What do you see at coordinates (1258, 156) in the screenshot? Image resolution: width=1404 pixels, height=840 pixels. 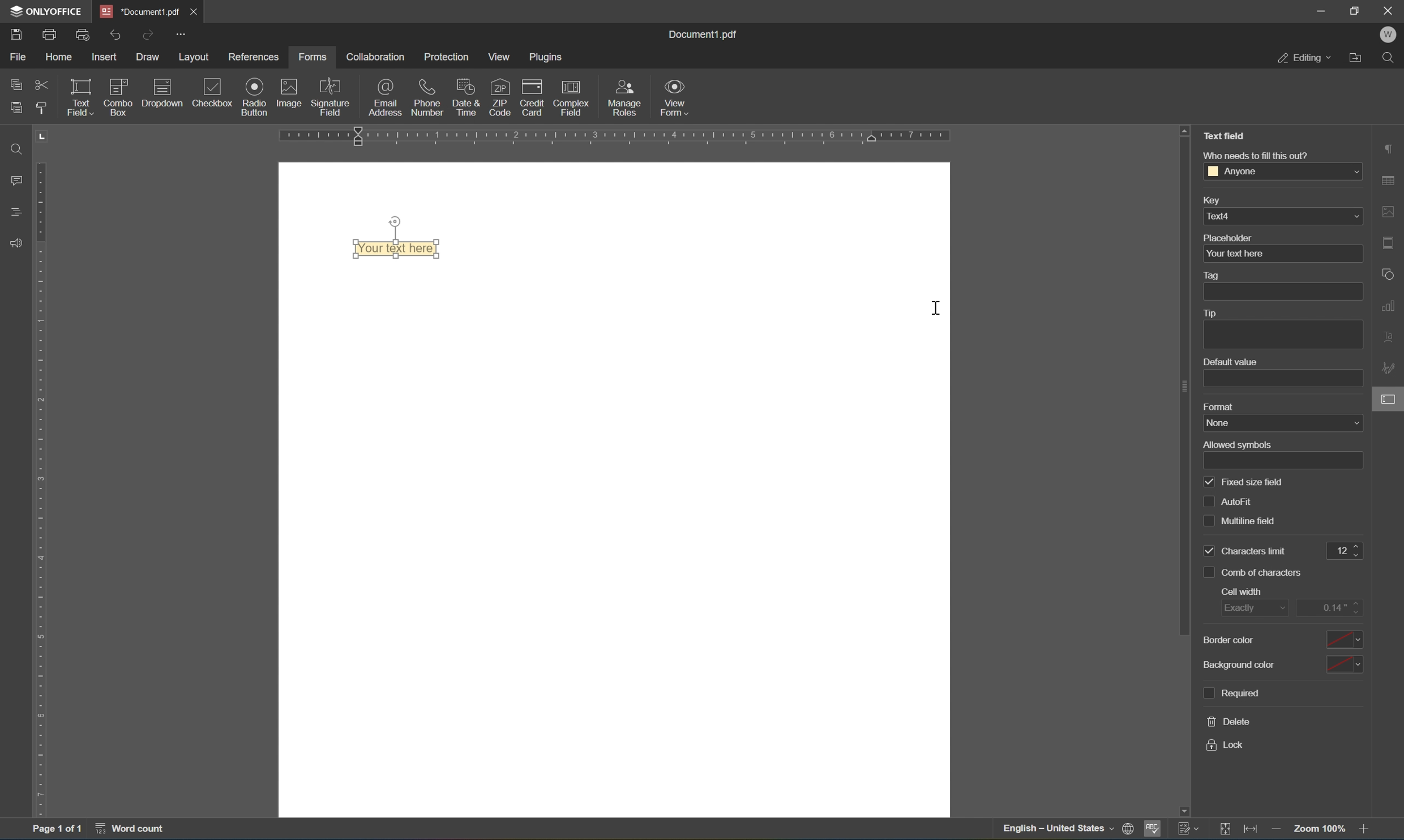 I see `who needs to fill this out?` at bounding box center [1258, 156].